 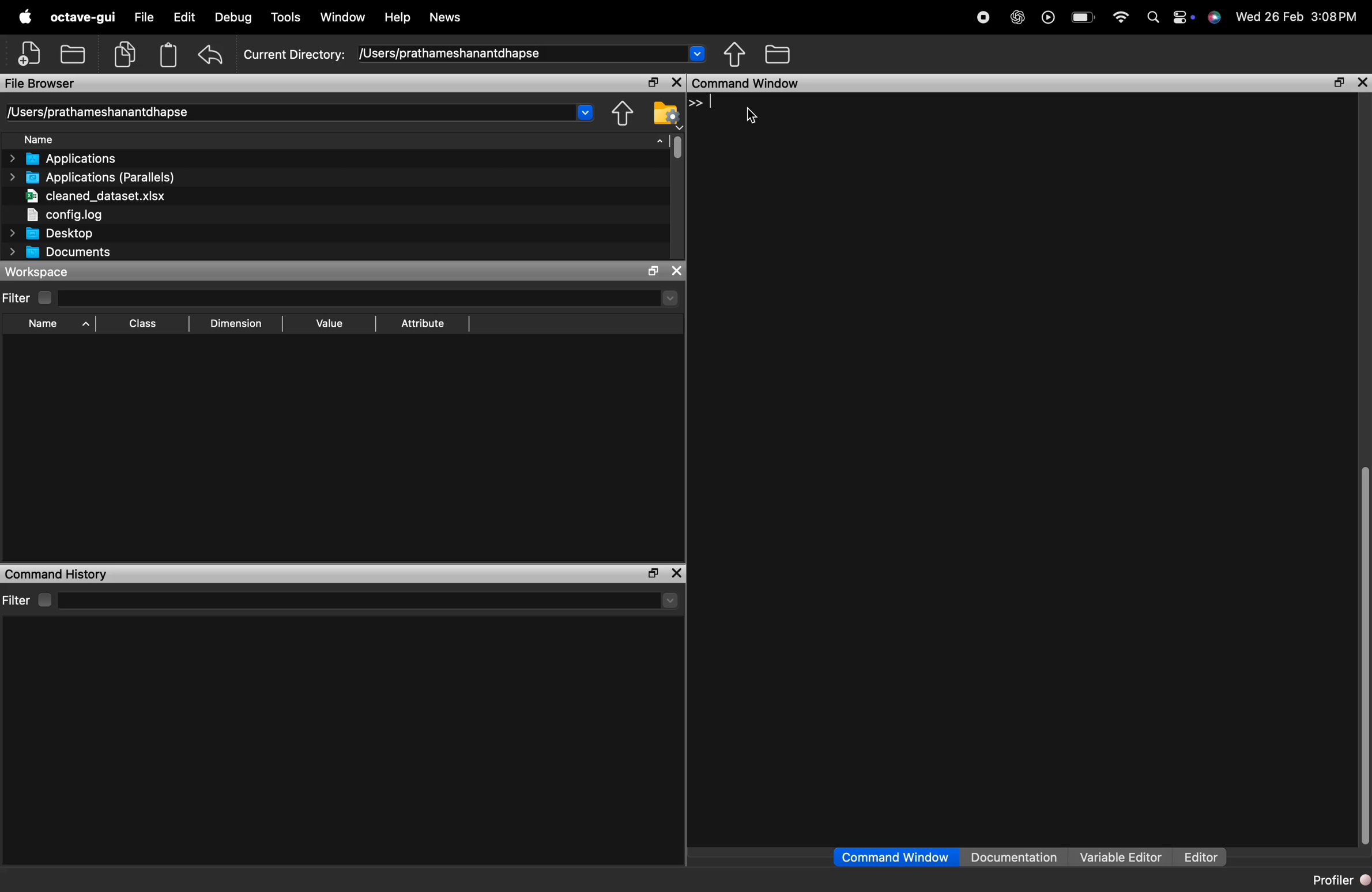 What do you see at coordinates (64, 157) in the screenshot?
I see `Applications` at bounding box center [64, 157].